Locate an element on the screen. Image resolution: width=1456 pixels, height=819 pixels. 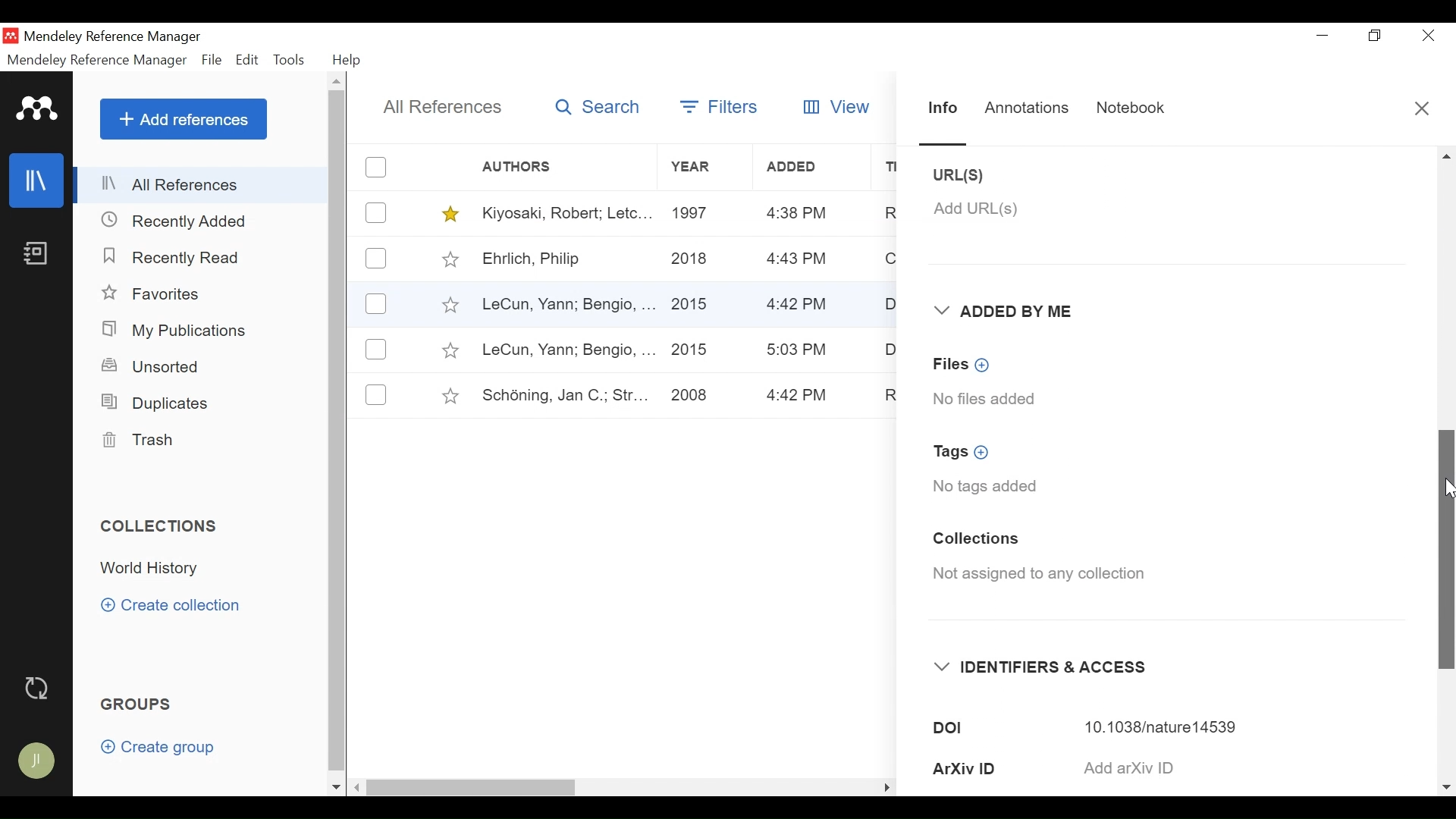
Toggle Favorites is located at coordinates (449, 304).